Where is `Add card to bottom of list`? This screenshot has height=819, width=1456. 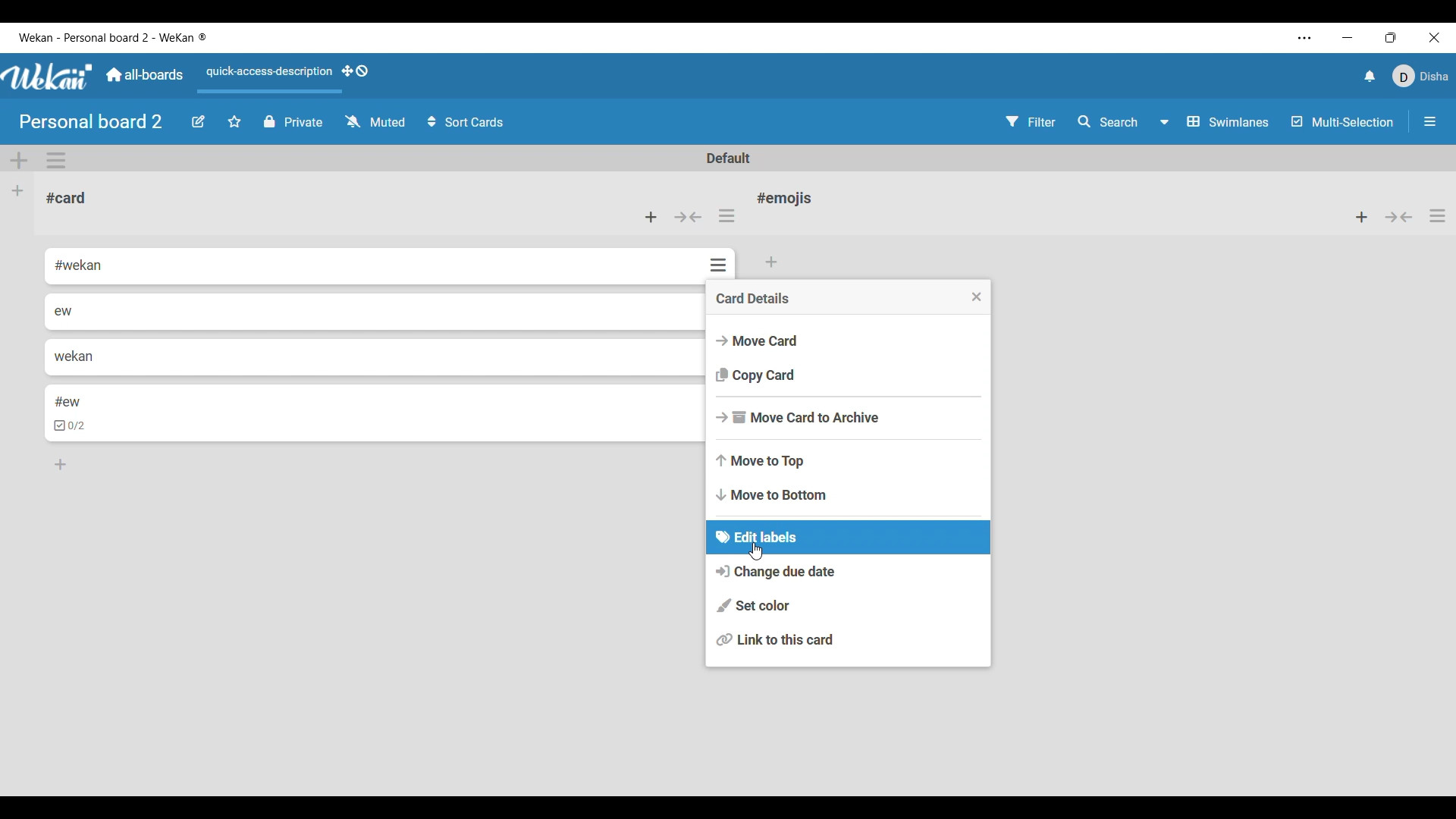 Add card to bottom of list is located at coordinates (61, 464).